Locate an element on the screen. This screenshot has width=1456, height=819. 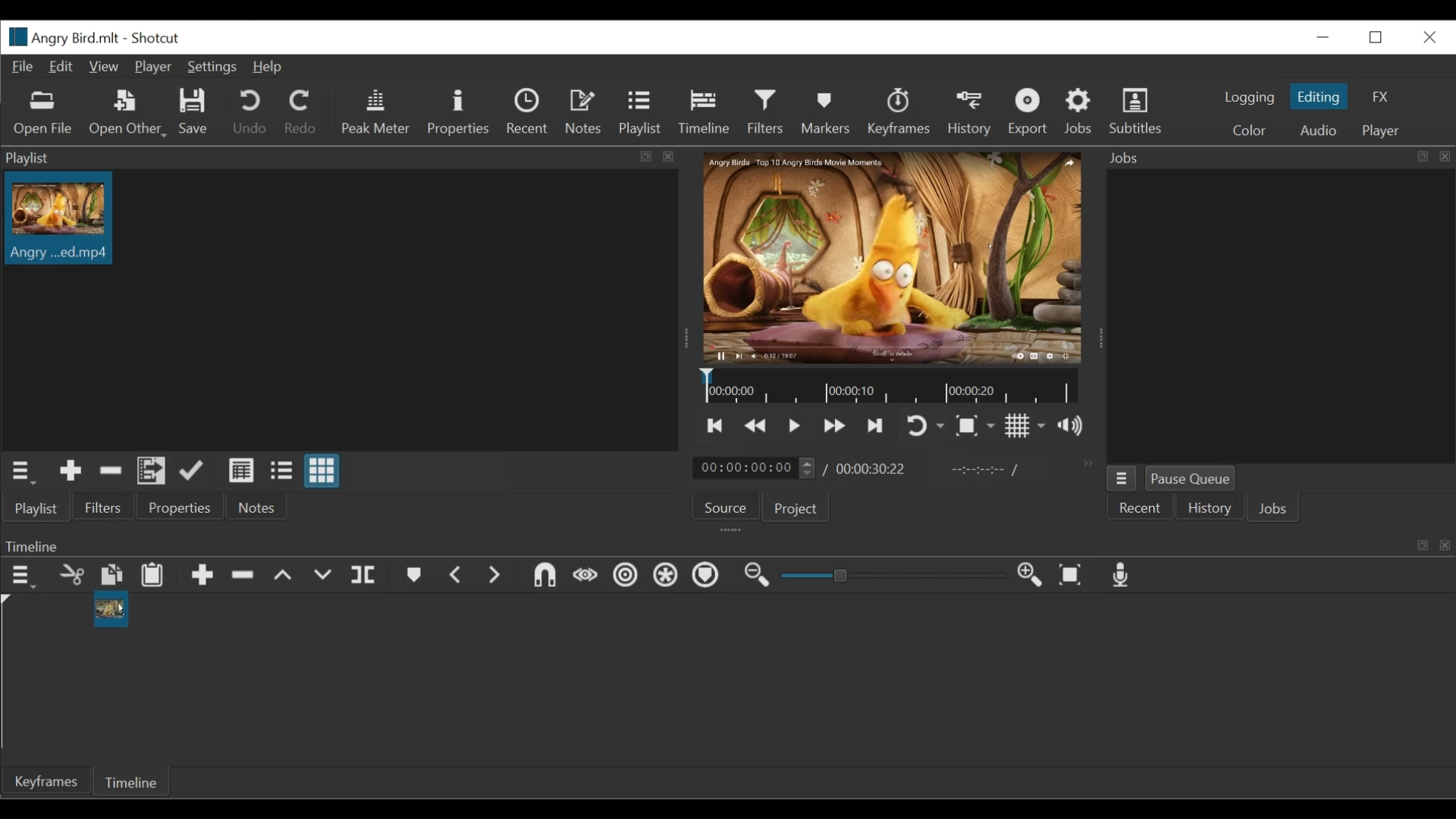
View as files is located at coordinates (281, 470).